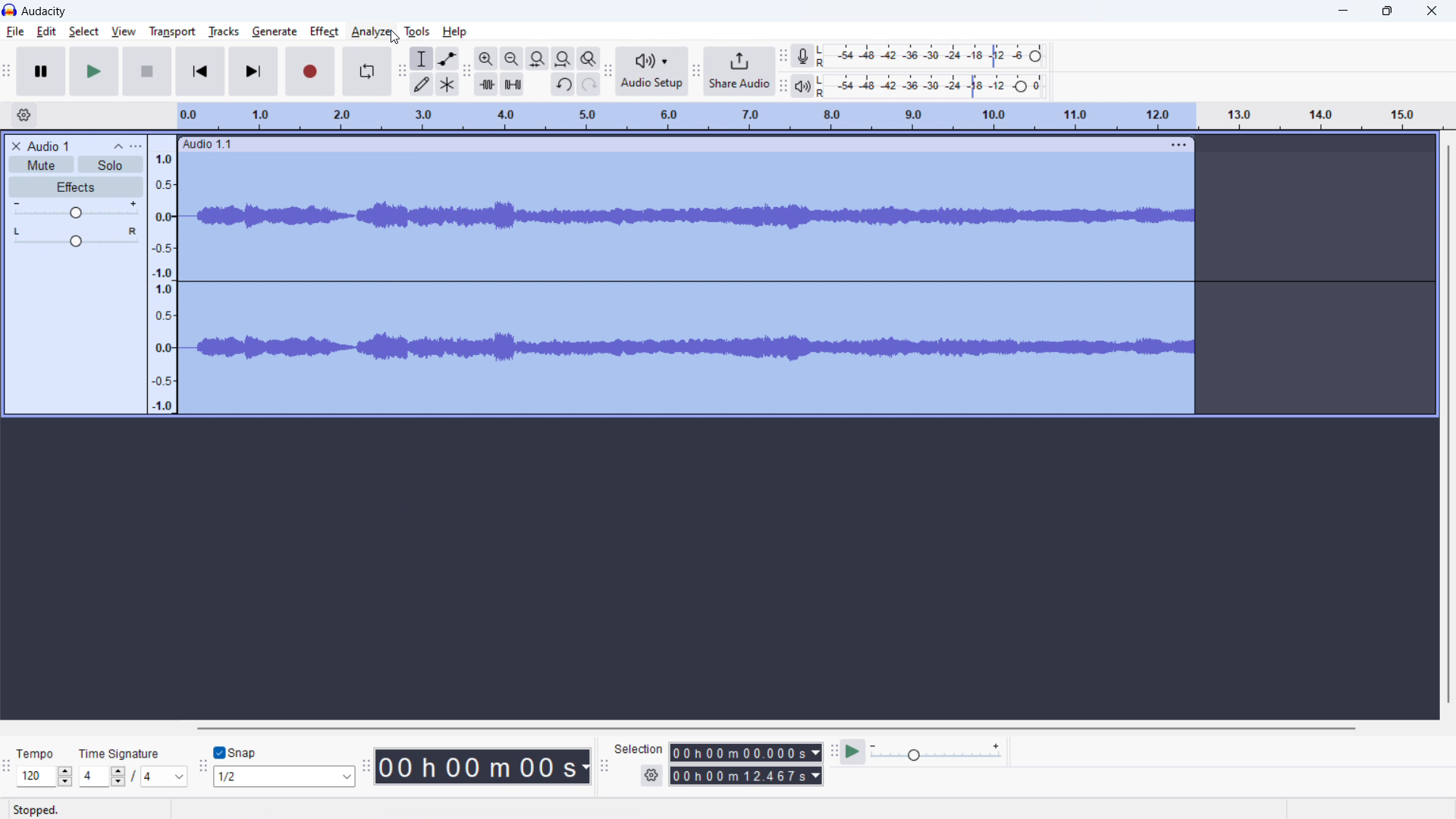  Describe the element at coordinates (802, 56) in the screenshot. I see `recording meter` at that location.